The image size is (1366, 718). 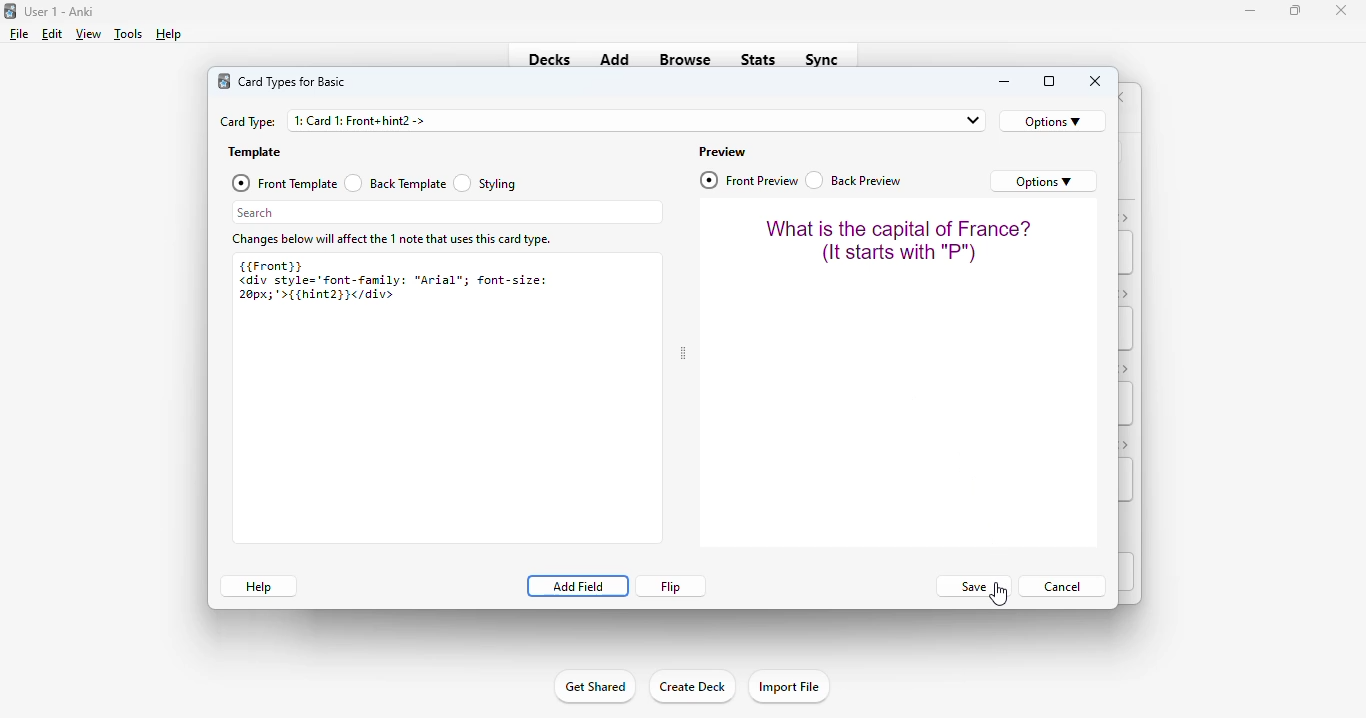 What do you see at coordinates (759, 59) in the screenshot?
I see `stats` at bounding box center [759, 59].